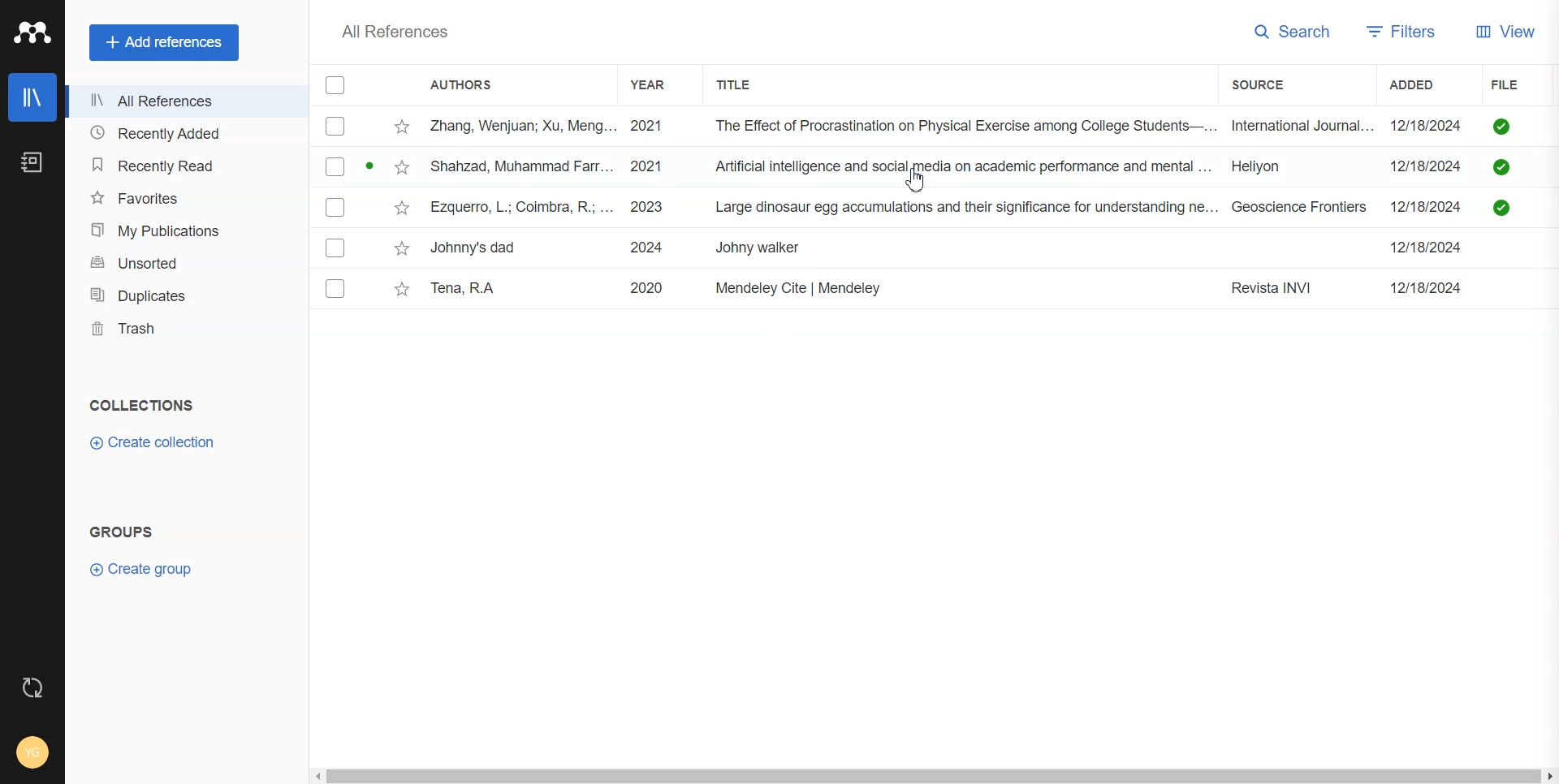 Image resolution: width=1559 pixels, height=784 pixels. Describe the element at coordinates (184, 294) in the screenshot. I see `Duplicates` at that location.